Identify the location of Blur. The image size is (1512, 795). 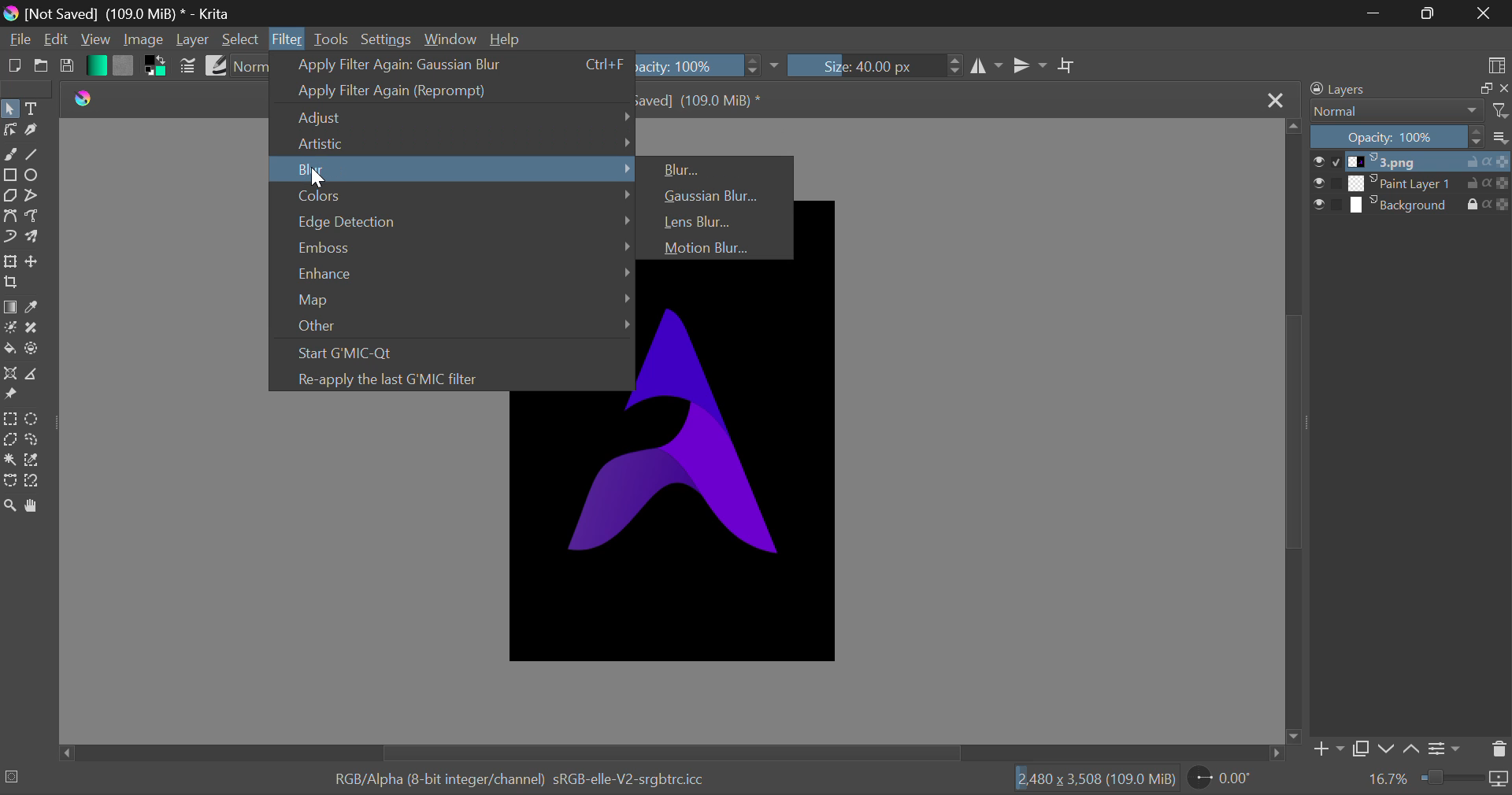
(452, 168).